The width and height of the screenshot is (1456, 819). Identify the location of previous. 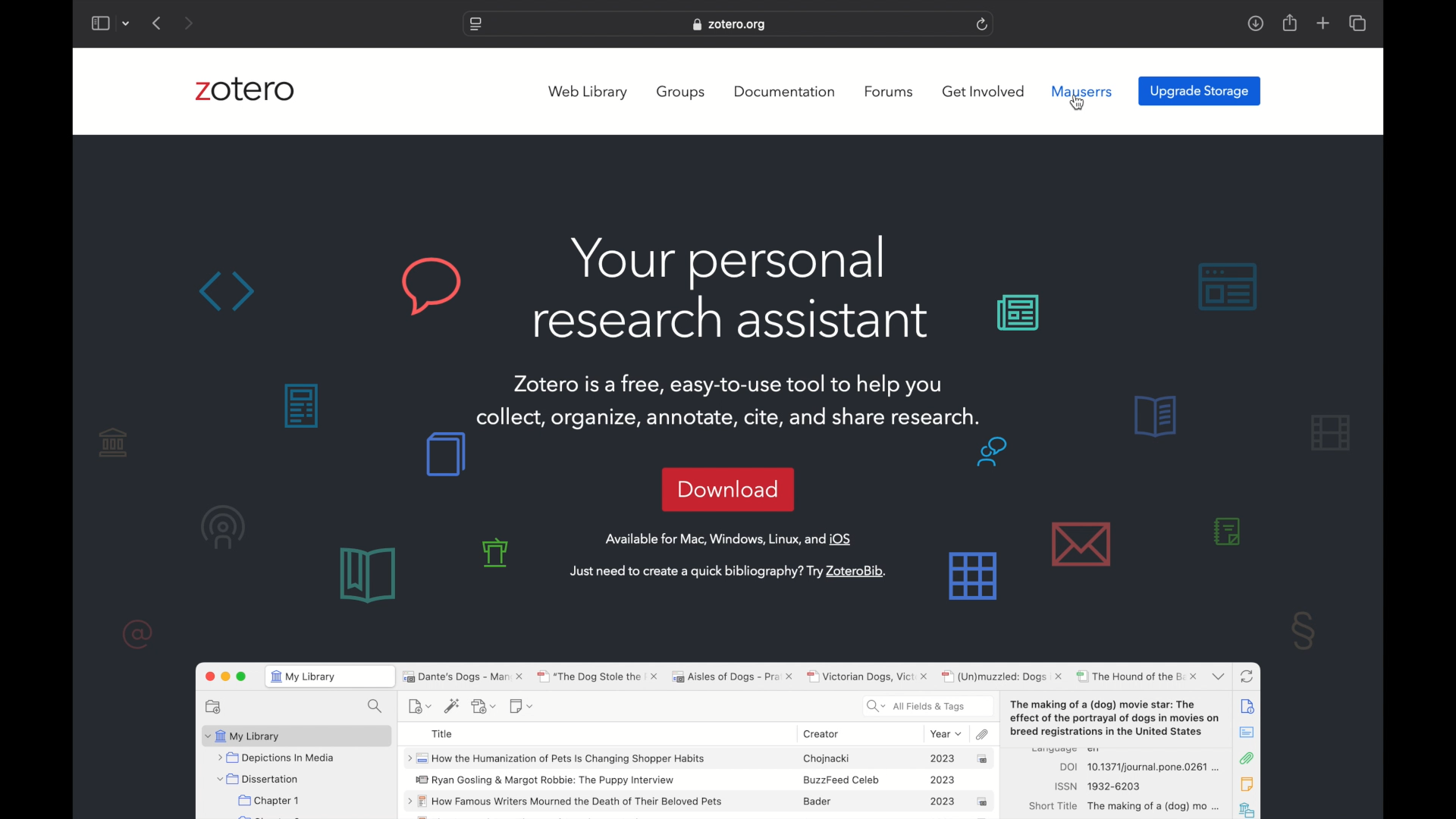
(158, 23).